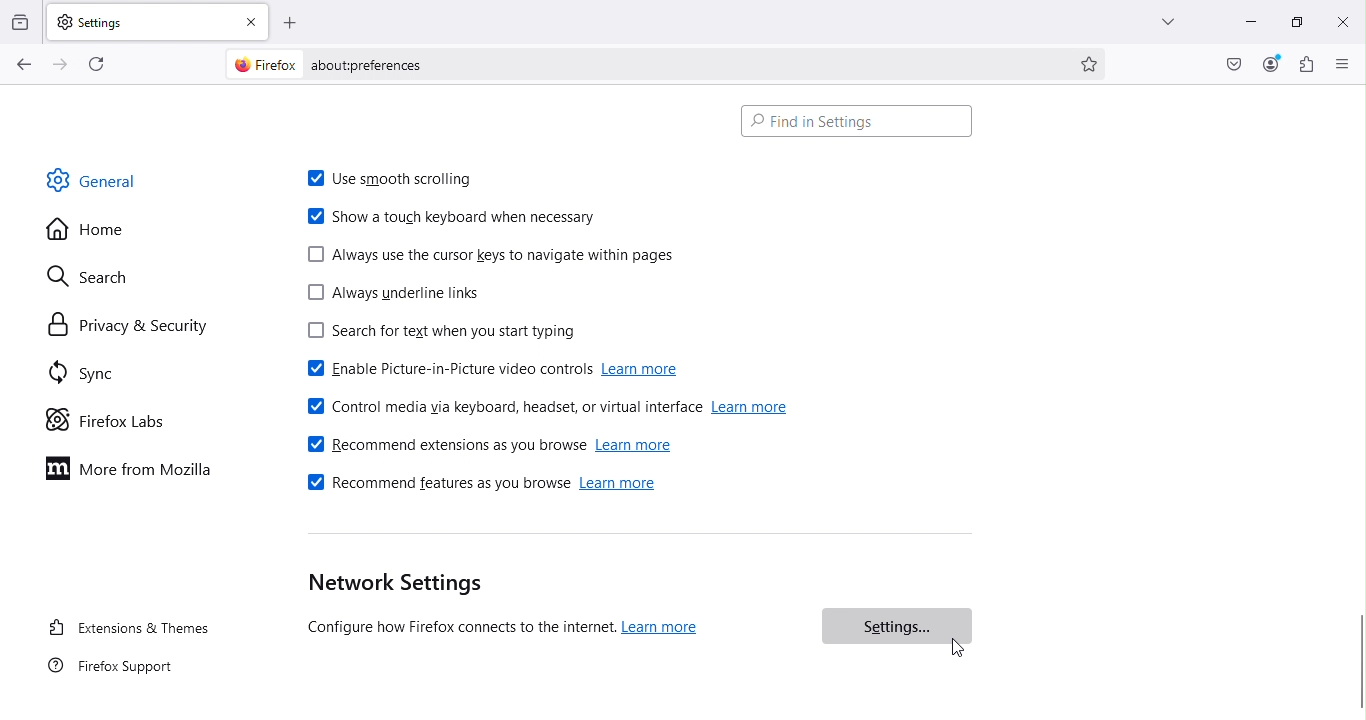  What do you see at coordinates (1293, 19) in the screenshot?
I see `Maximize tab` at bounding box center [1293, 19].